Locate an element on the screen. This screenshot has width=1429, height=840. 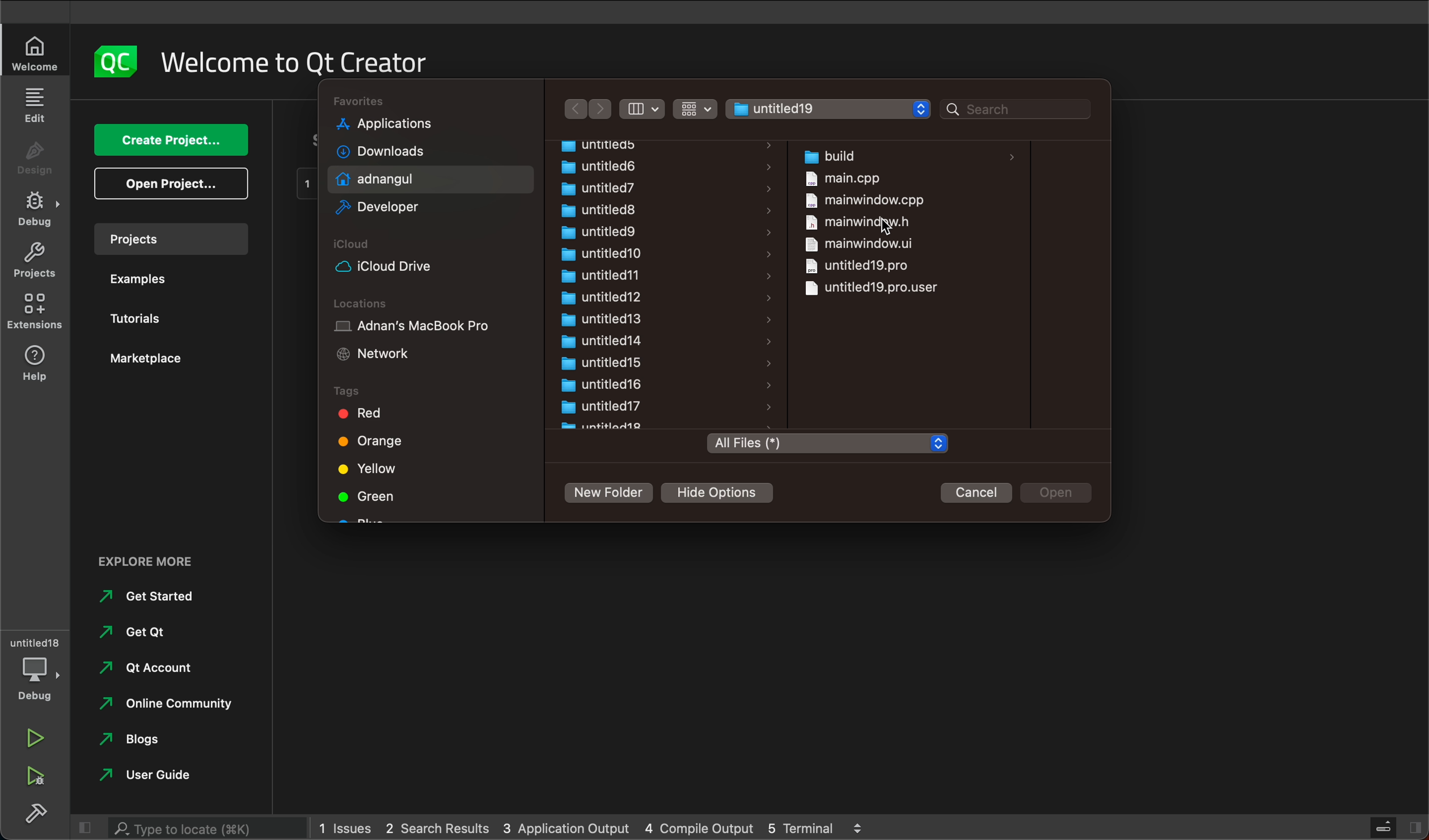
cancel is located at coordinates (978, 493).